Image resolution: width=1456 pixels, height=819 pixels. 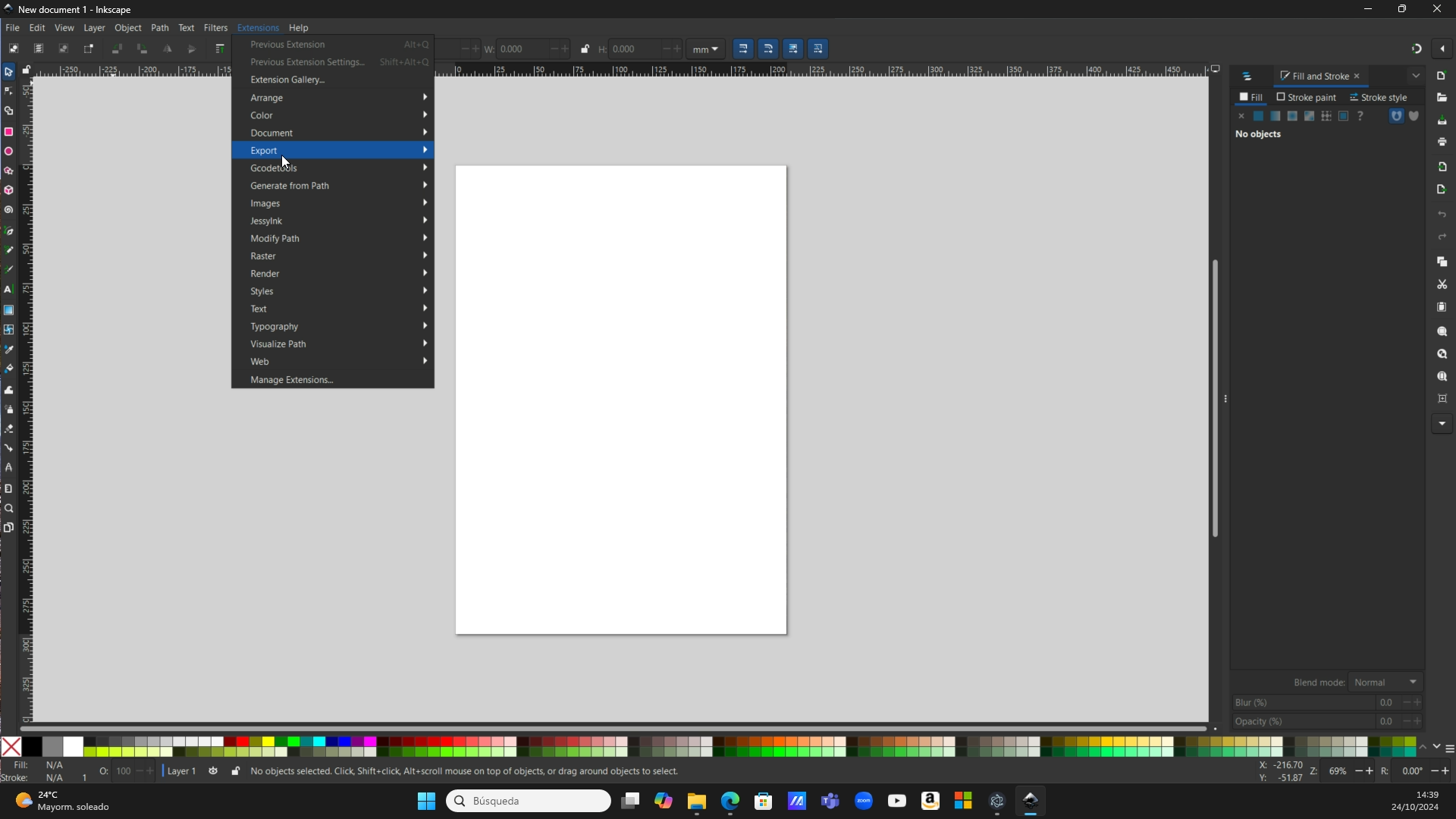 What do you see at coordinates (1306, 98) in the screenshot?
I see `Stroke Paint` at bounding box center [1306, 98].